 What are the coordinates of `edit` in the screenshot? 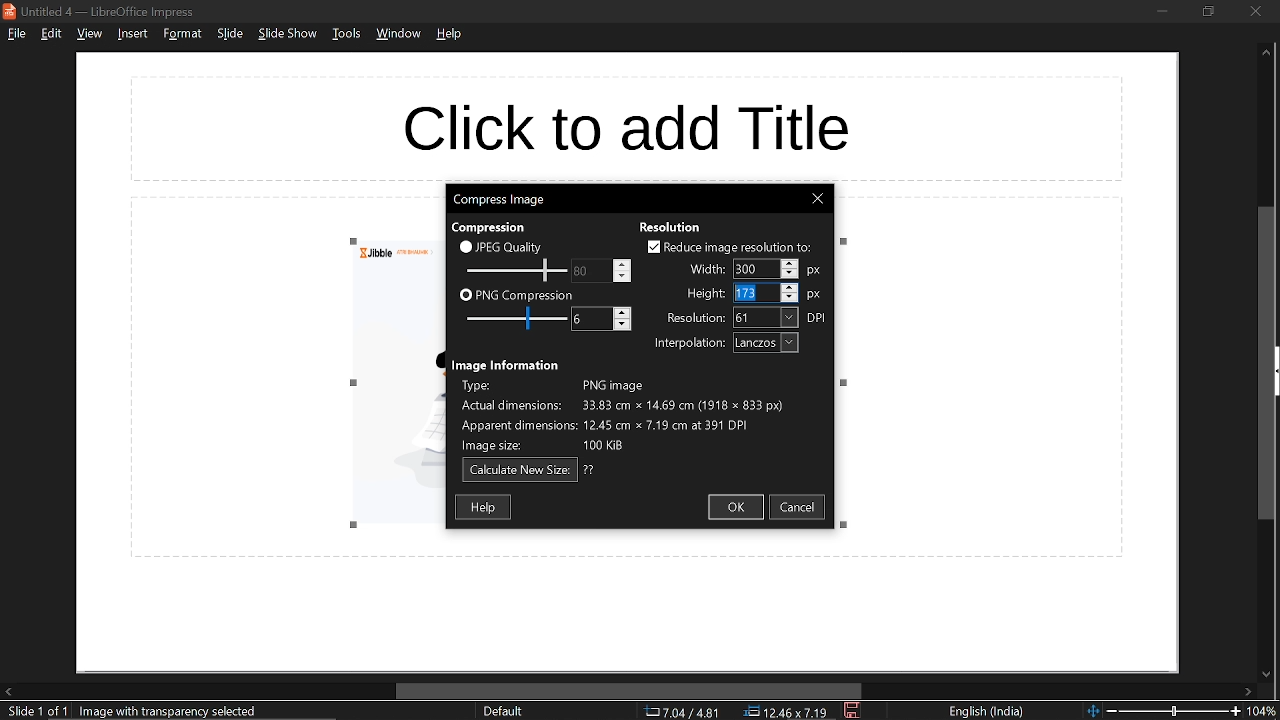 It's located at (50, 34).